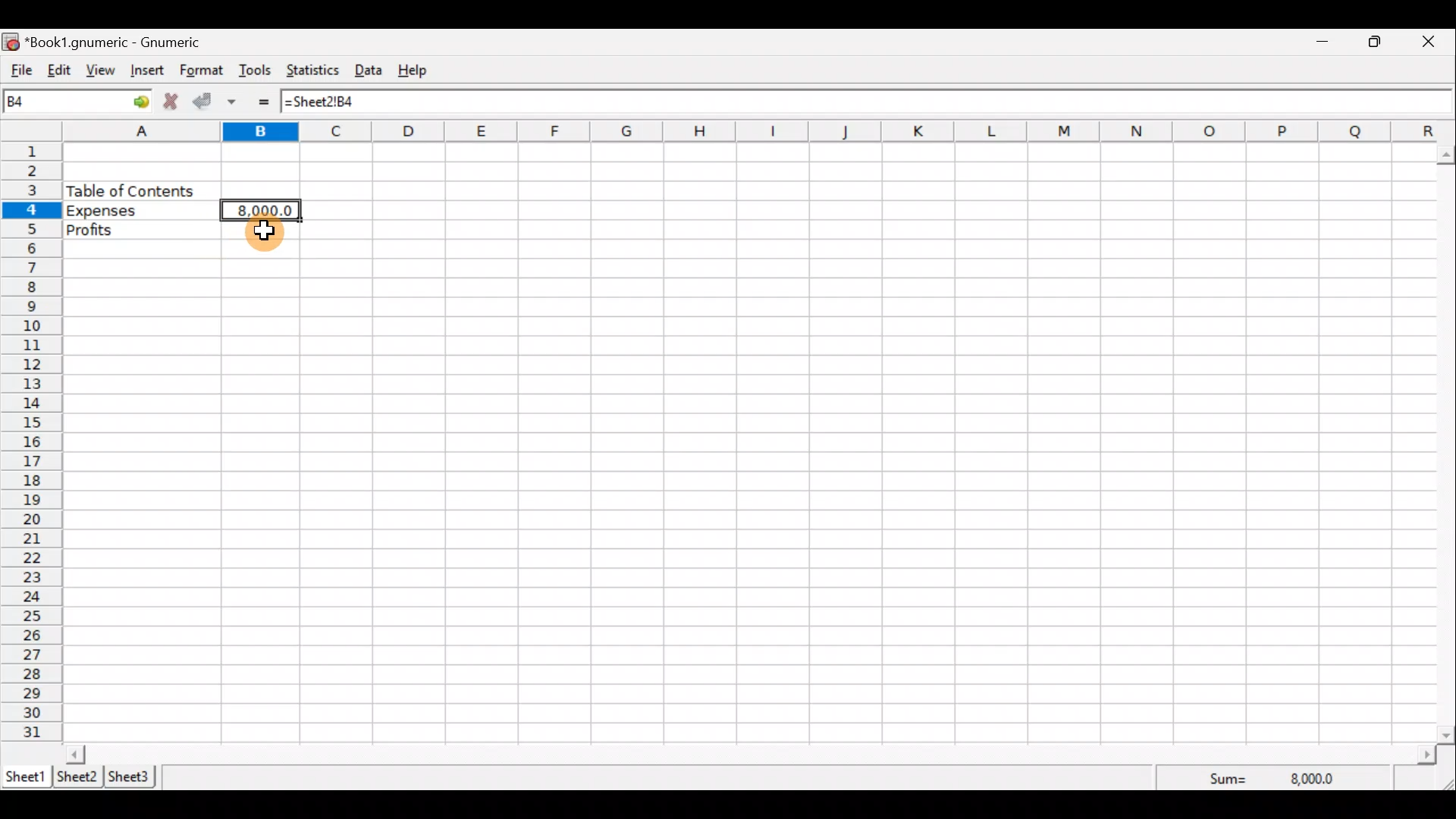  Describe the element at coordinates (884, 439) in the screenshot. I see `Cells` at that location.